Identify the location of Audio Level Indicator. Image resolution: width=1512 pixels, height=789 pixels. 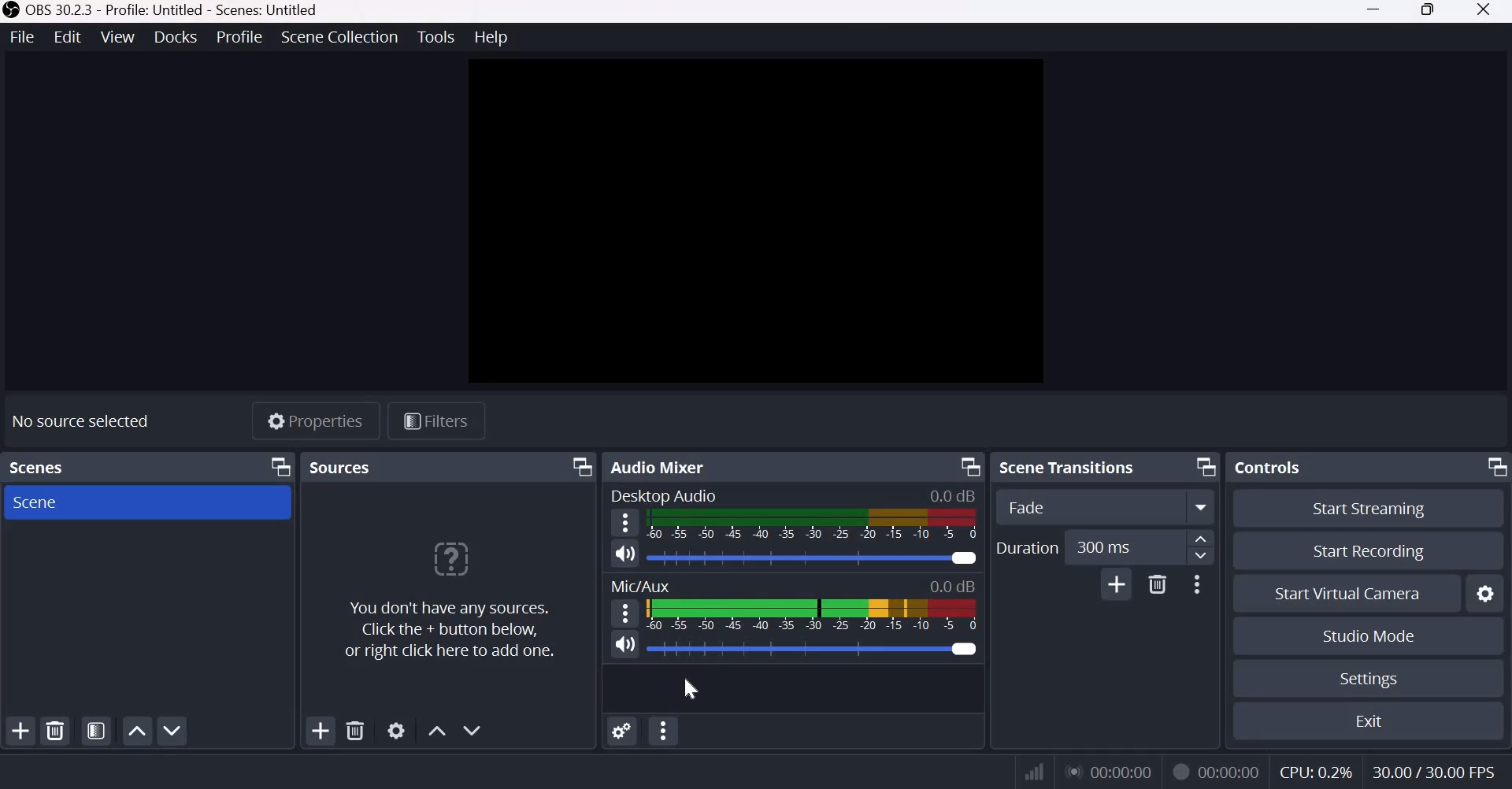
(954, 495).